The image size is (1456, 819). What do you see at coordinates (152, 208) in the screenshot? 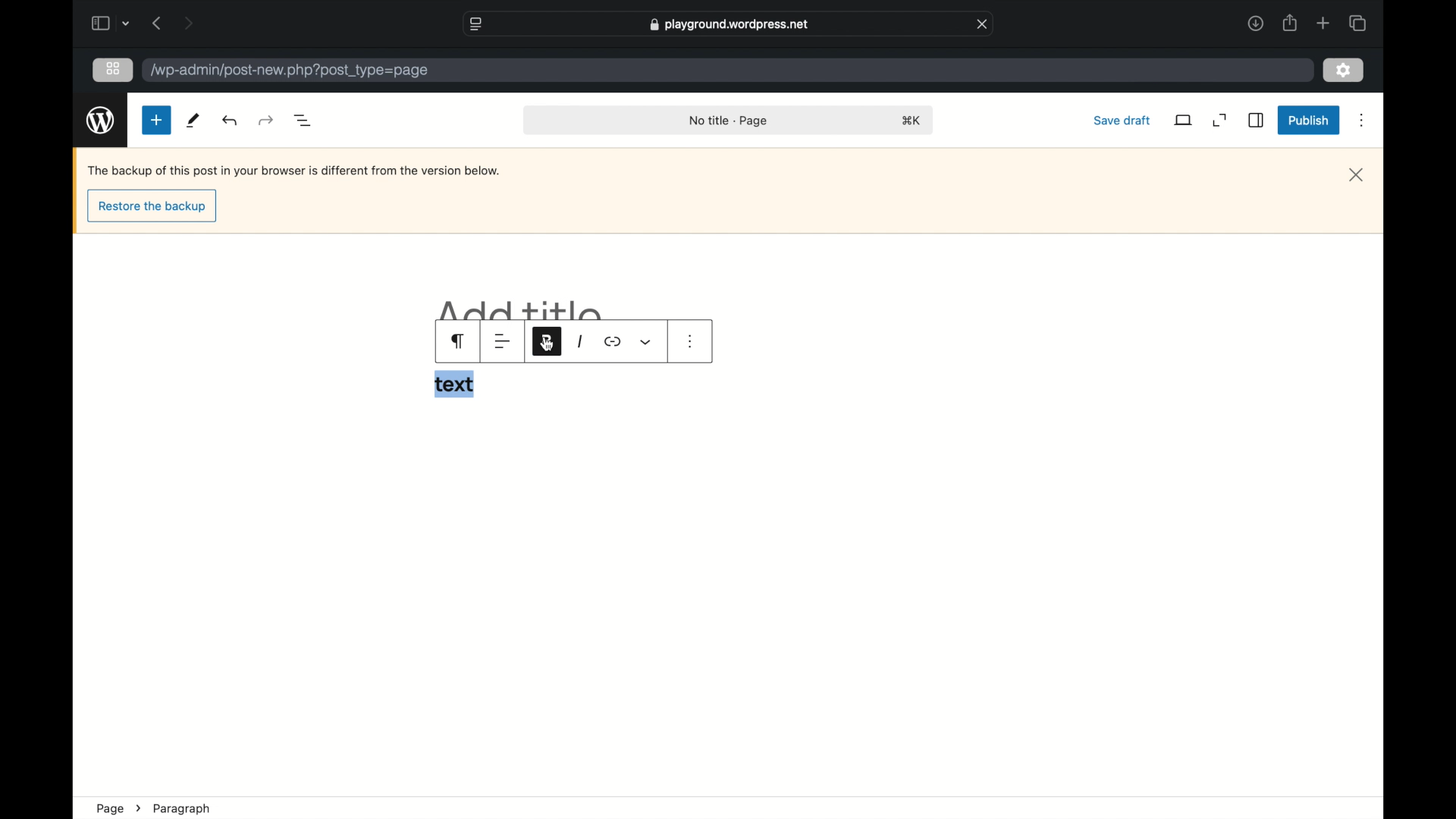
I see `restore the backup` at bounding box center [152, 208].